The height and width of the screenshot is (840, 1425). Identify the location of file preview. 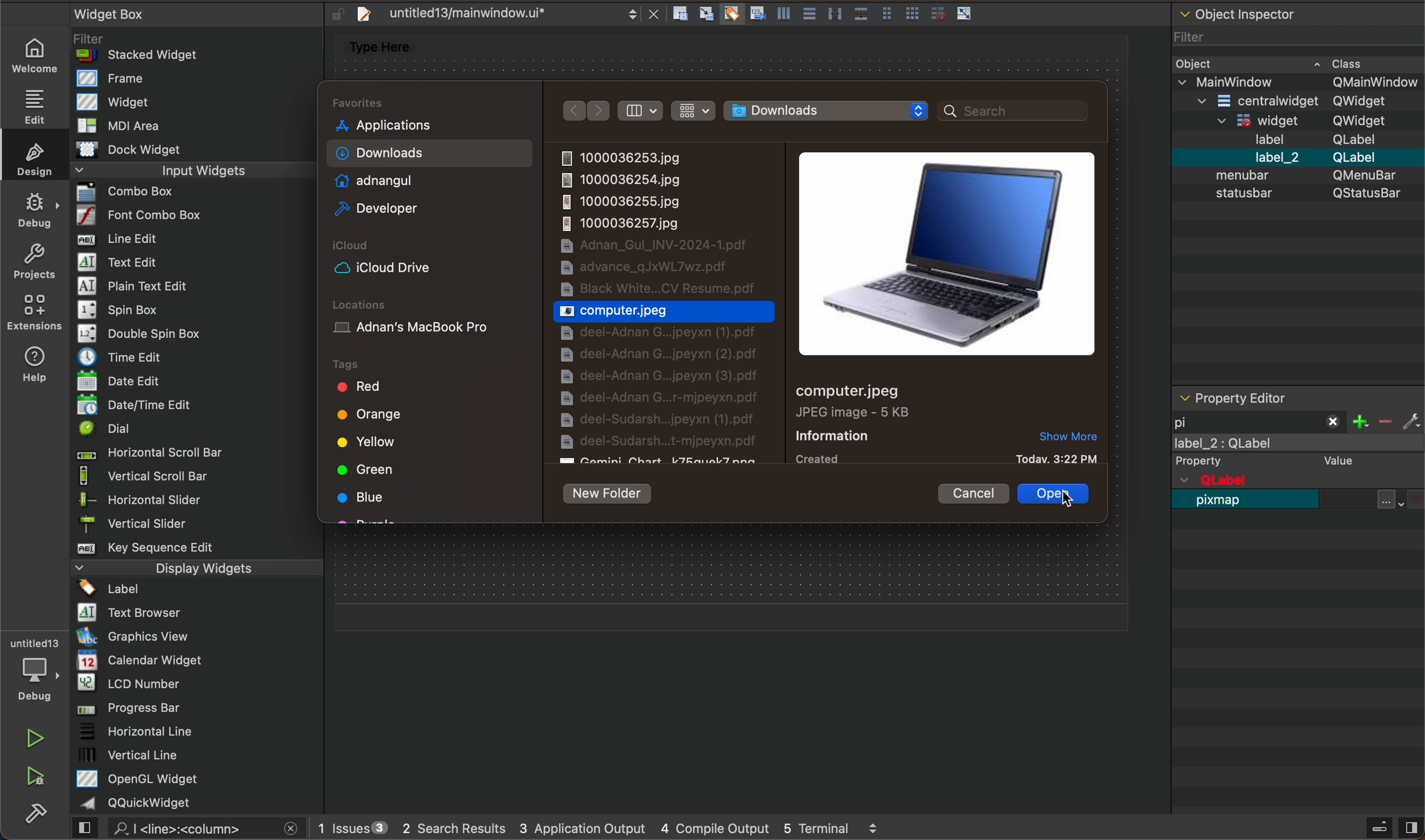
(952, 252).